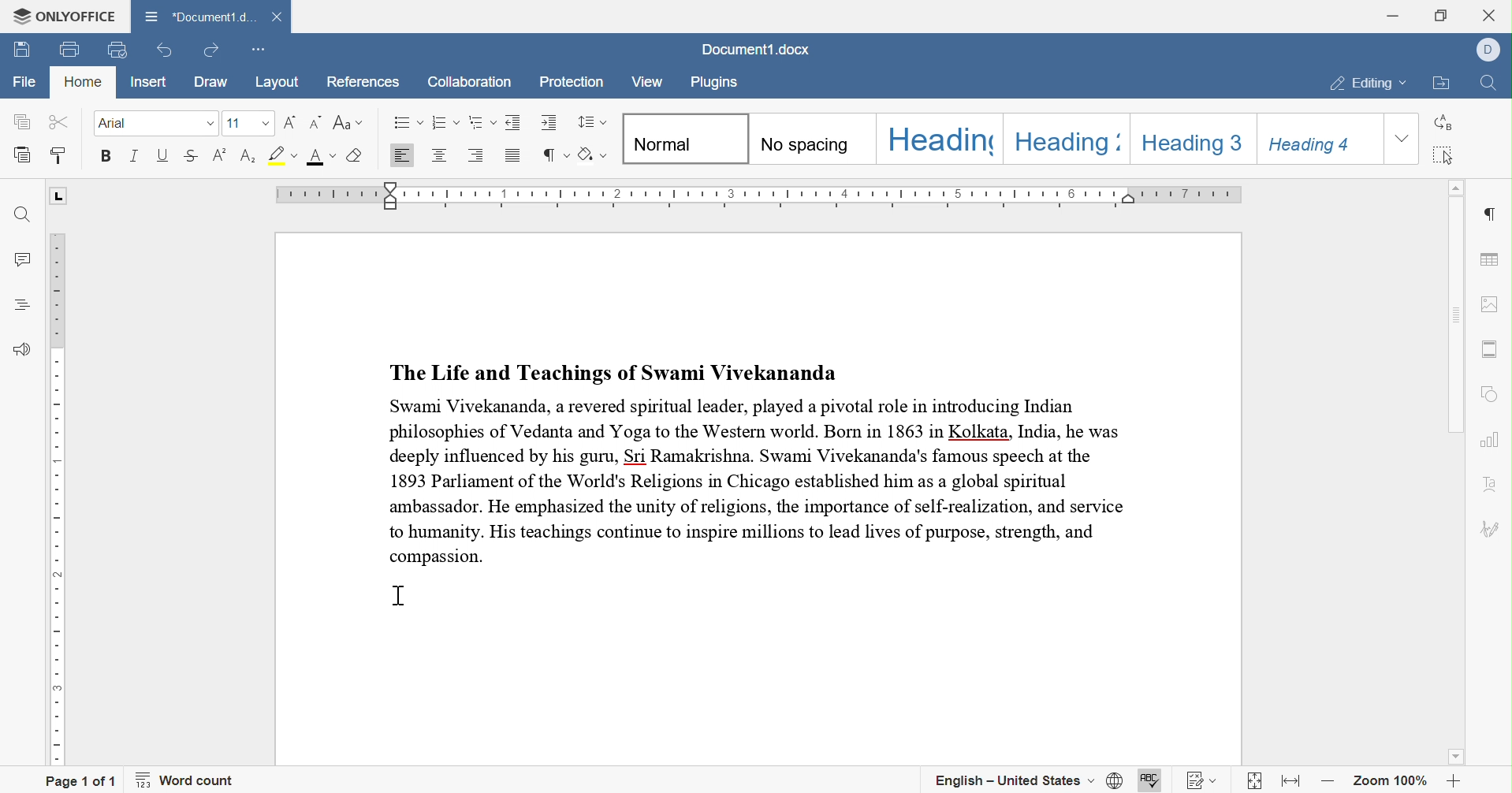 The height and width of the screenshot is (793, 1512). Describe the element at coordinates (476, 154) in the screenshot. I see `align right` at that location.